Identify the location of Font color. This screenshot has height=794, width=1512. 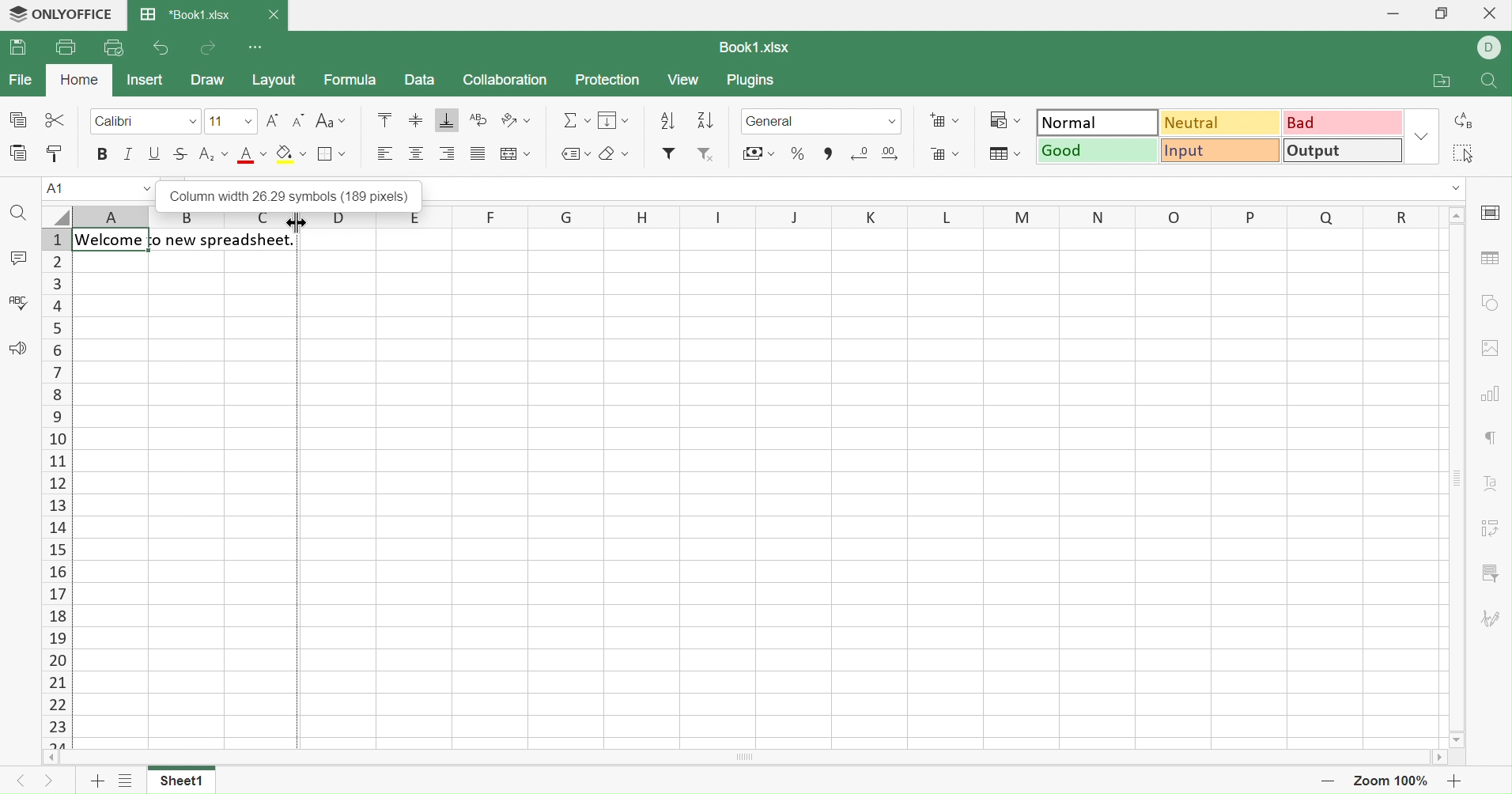
(255, 155).